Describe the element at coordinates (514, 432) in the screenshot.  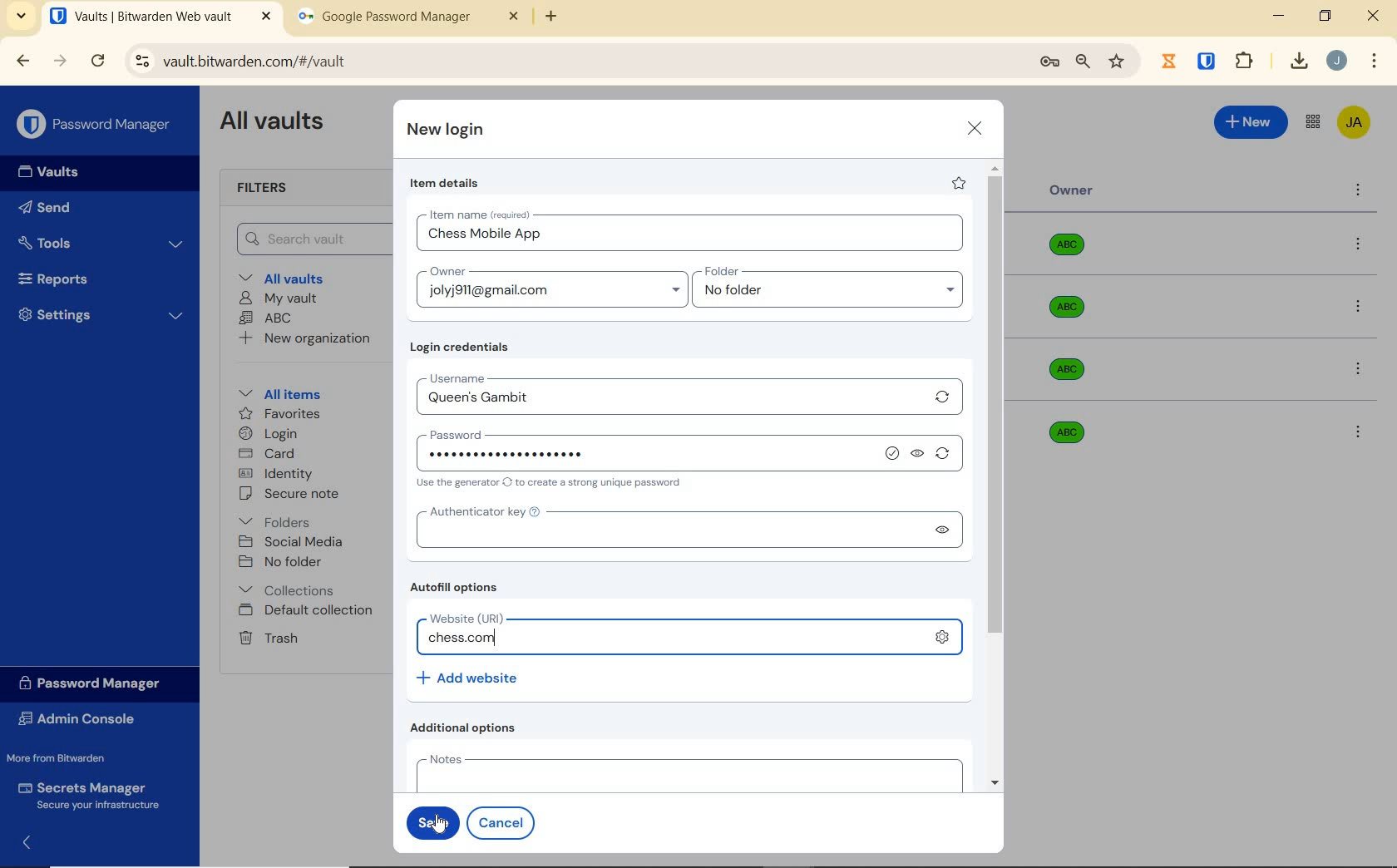
I see `password` at that location.